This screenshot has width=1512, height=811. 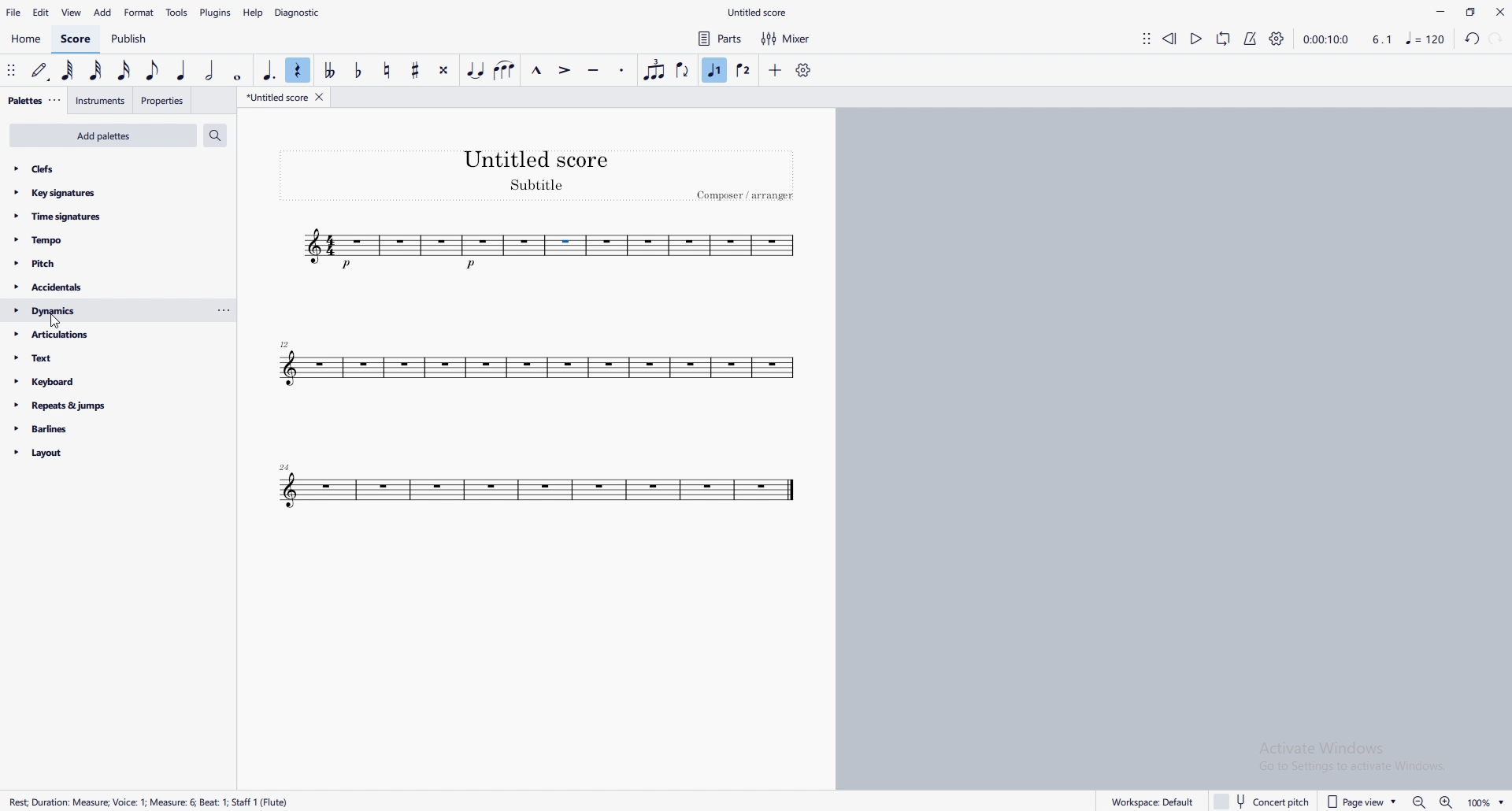 I want to click on dynamics, so click(x=118, y=310).